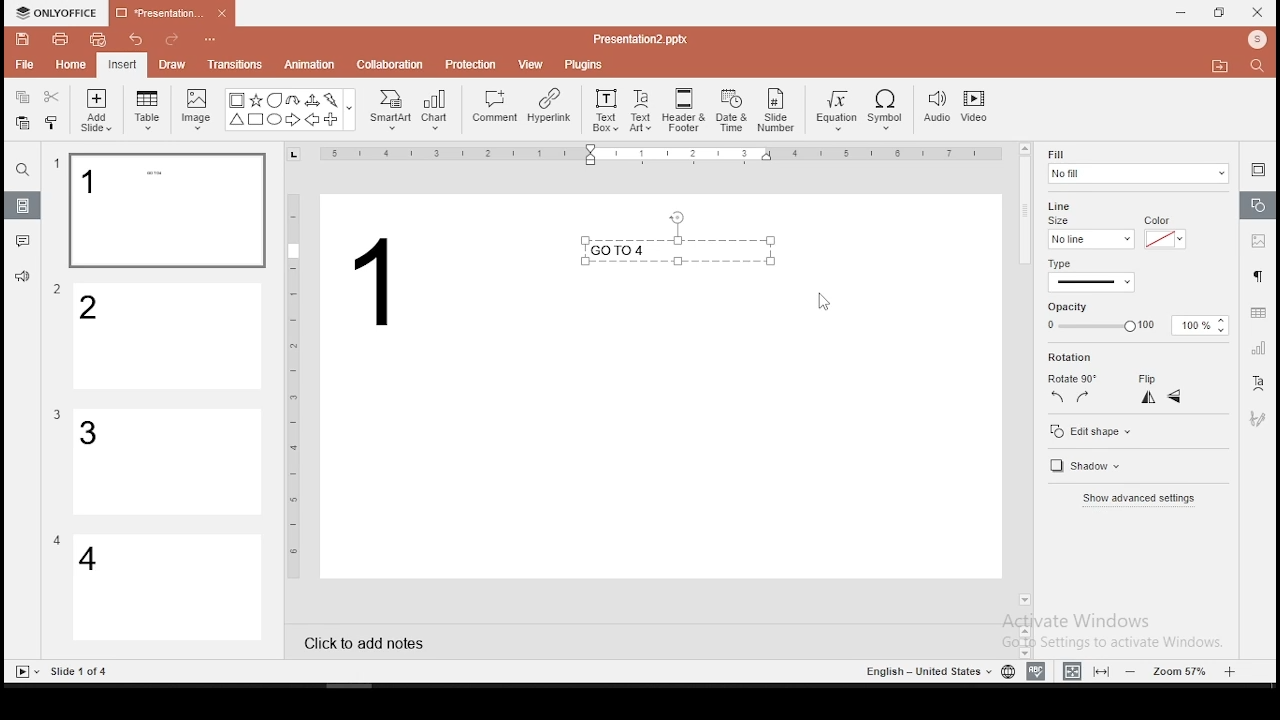 This screenshot has width=1280, height=720. I want to click on Star, so click(255, 100).